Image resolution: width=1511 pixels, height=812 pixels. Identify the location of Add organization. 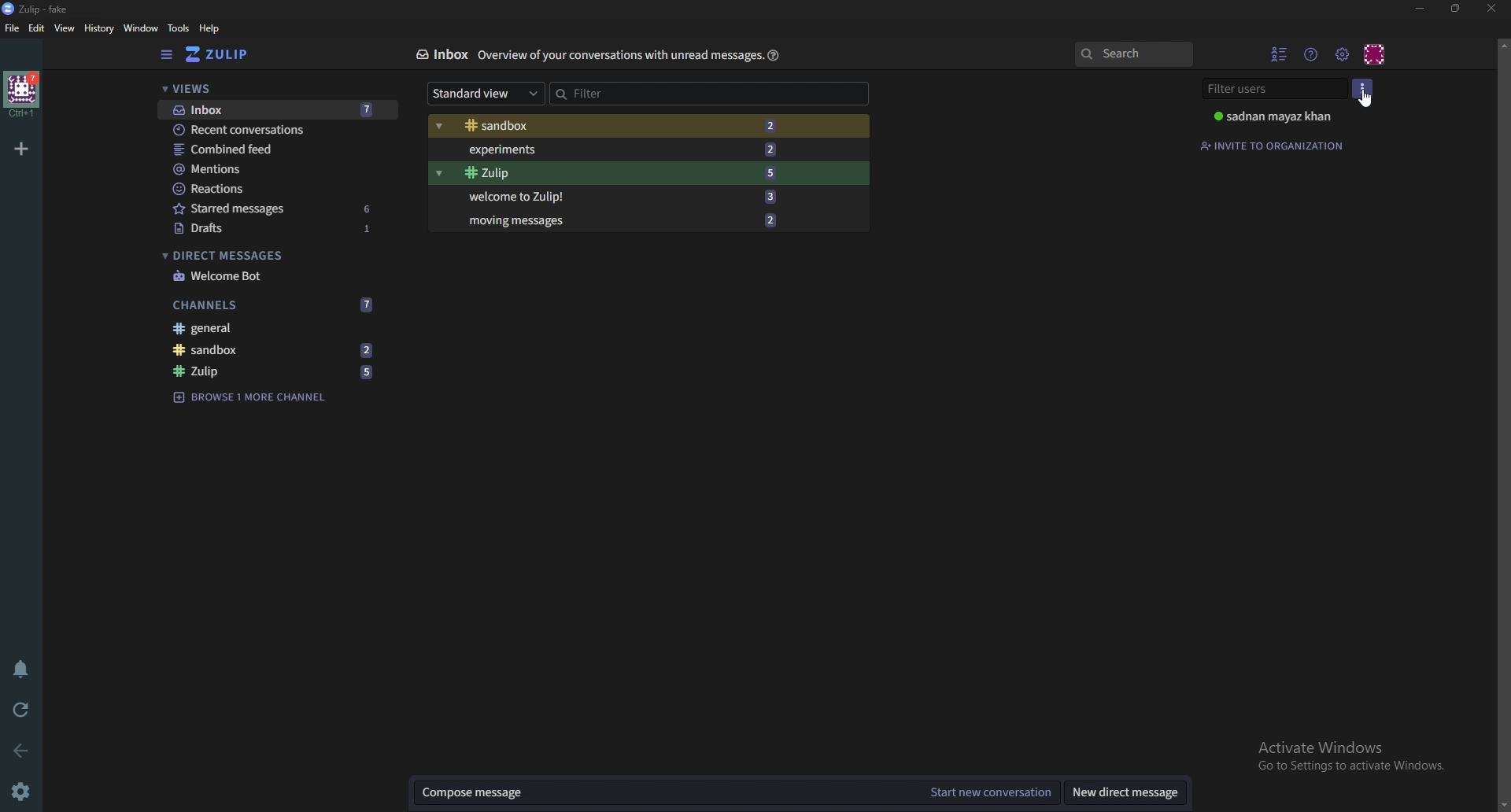
(22, 149).